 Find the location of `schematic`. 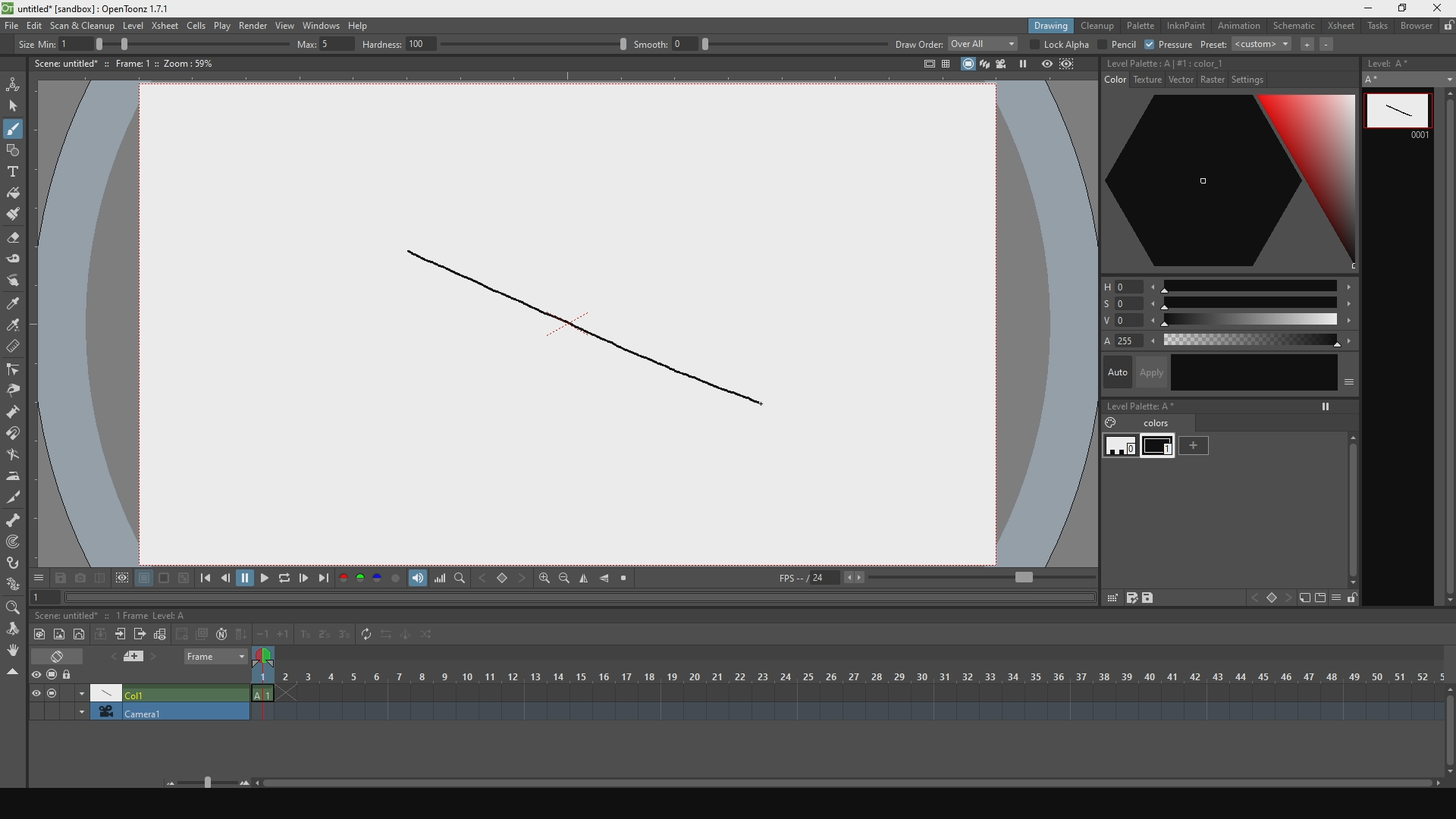

schematic is located at coordinates (1296, 27).